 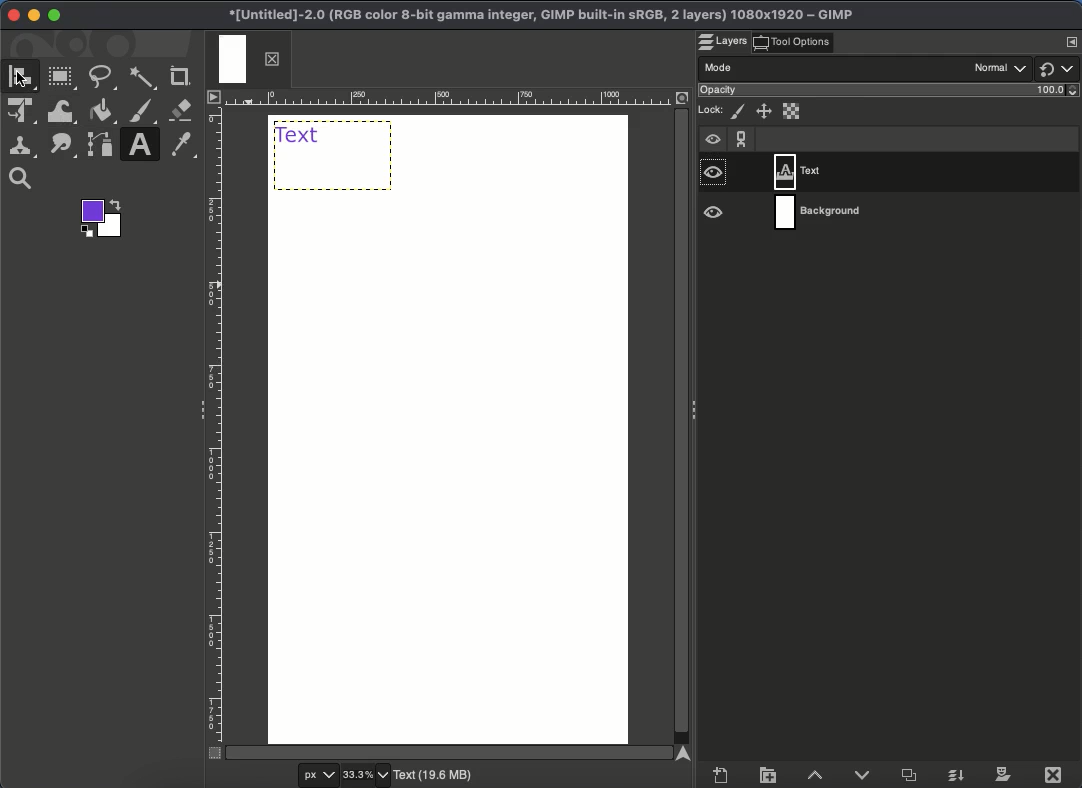 What do you see at coordinates (183, 110) in the screenshot?
I see `Erase` at bounding box center [183, 110].